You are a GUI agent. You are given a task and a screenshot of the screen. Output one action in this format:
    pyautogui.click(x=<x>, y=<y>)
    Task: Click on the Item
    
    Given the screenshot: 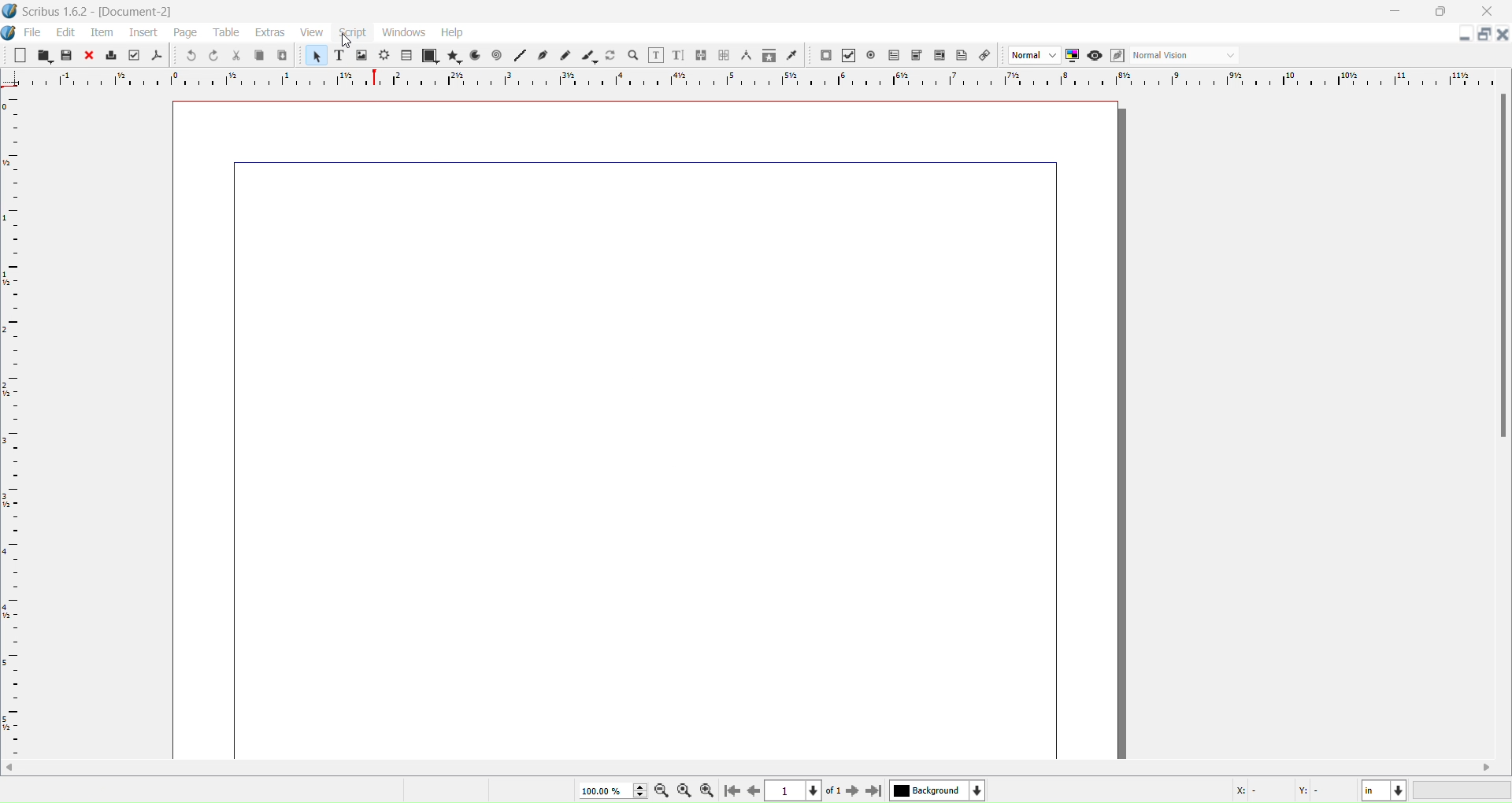 What is the action you would take?
    pyautogui.click(x=102, y=33)
    